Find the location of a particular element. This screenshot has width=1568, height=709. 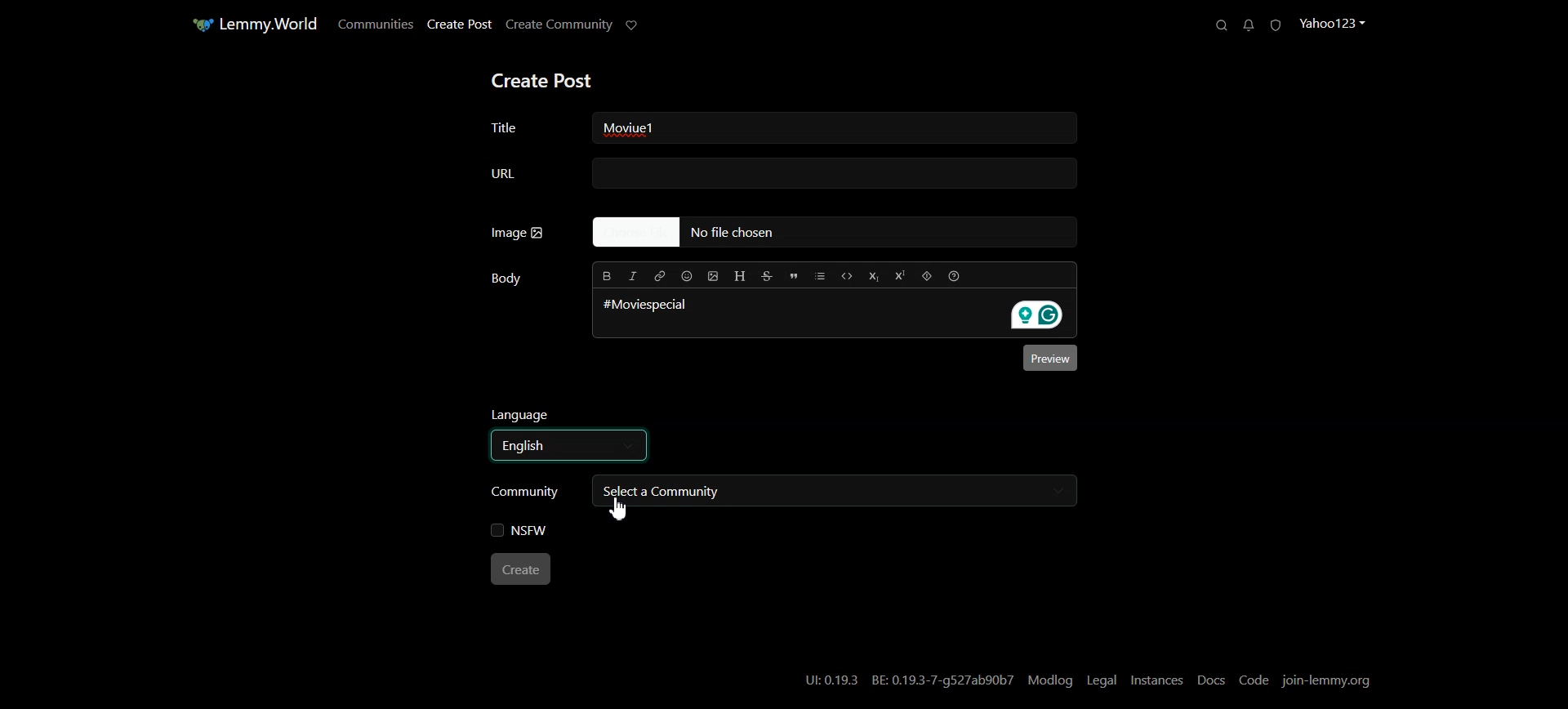

Strikethrough is located at coordinates (768, 276).